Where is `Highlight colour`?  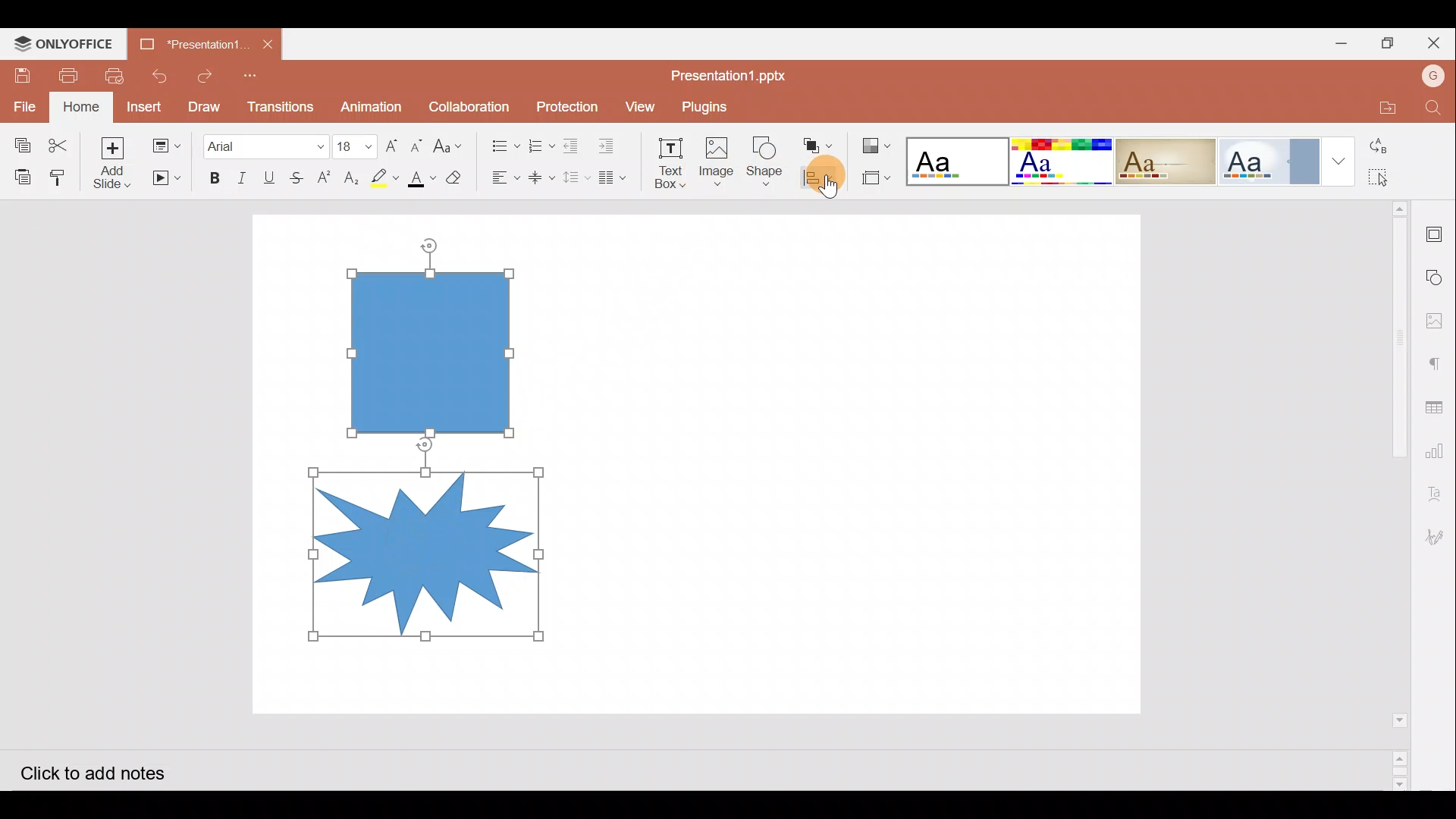
Highlight colour is located at coordinates (388, 176).